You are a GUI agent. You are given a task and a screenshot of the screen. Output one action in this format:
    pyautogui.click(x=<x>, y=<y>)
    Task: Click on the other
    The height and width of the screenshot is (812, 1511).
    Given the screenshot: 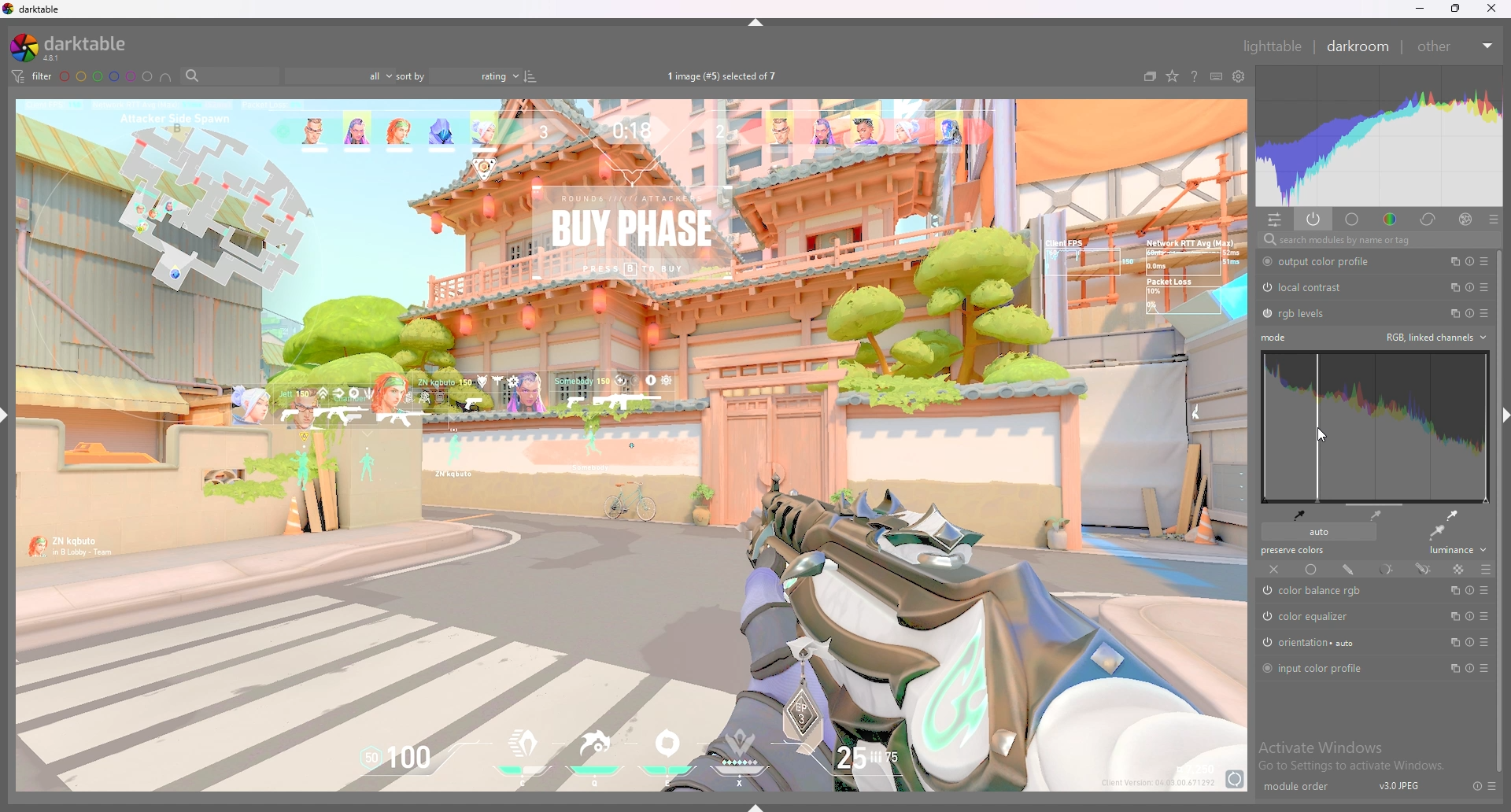 What is the action you would take?
    pyautogui.click(x=1453, y=46)
    